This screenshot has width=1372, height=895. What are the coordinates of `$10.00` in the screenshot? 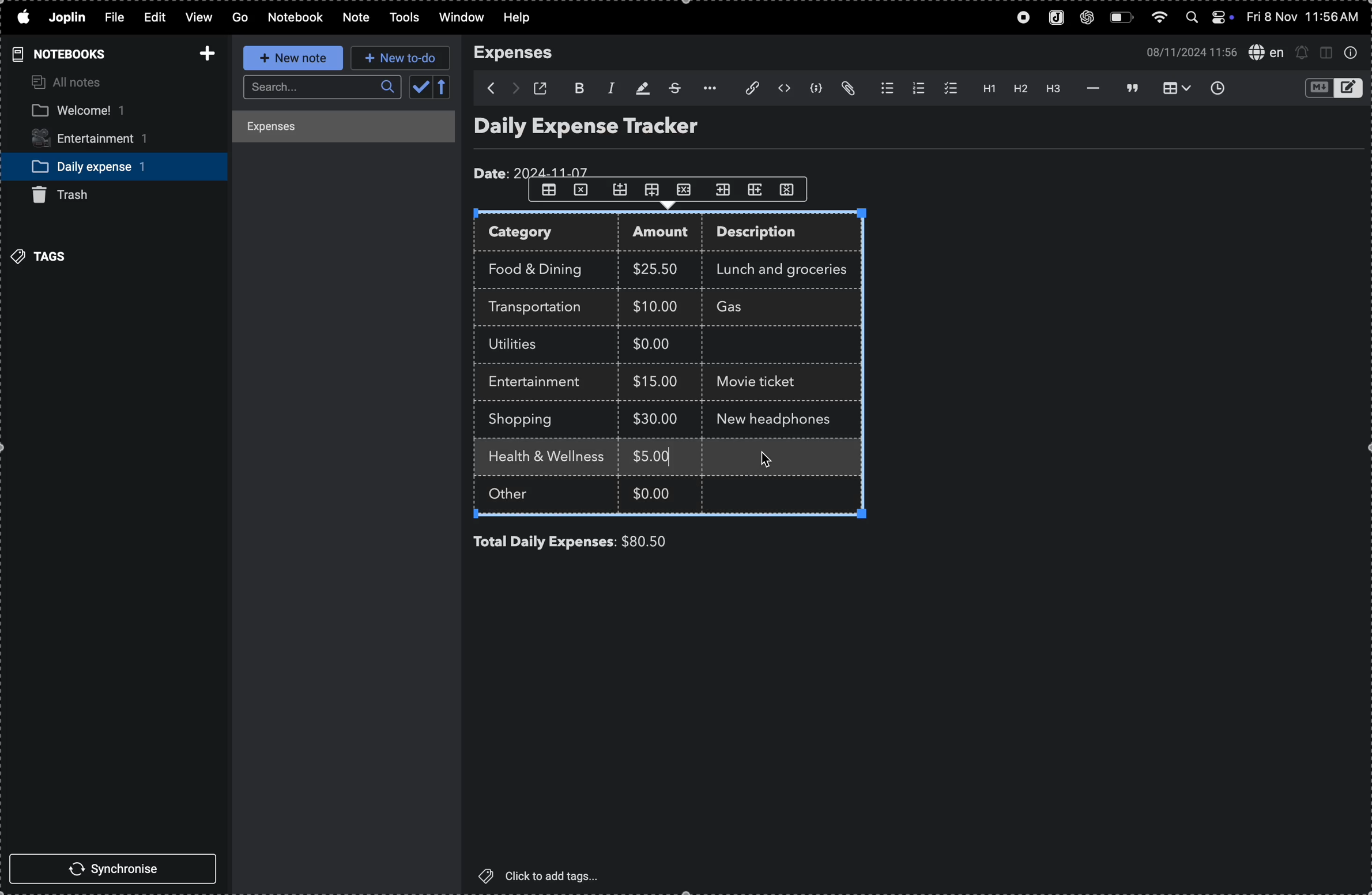 It's located at (655, 306).